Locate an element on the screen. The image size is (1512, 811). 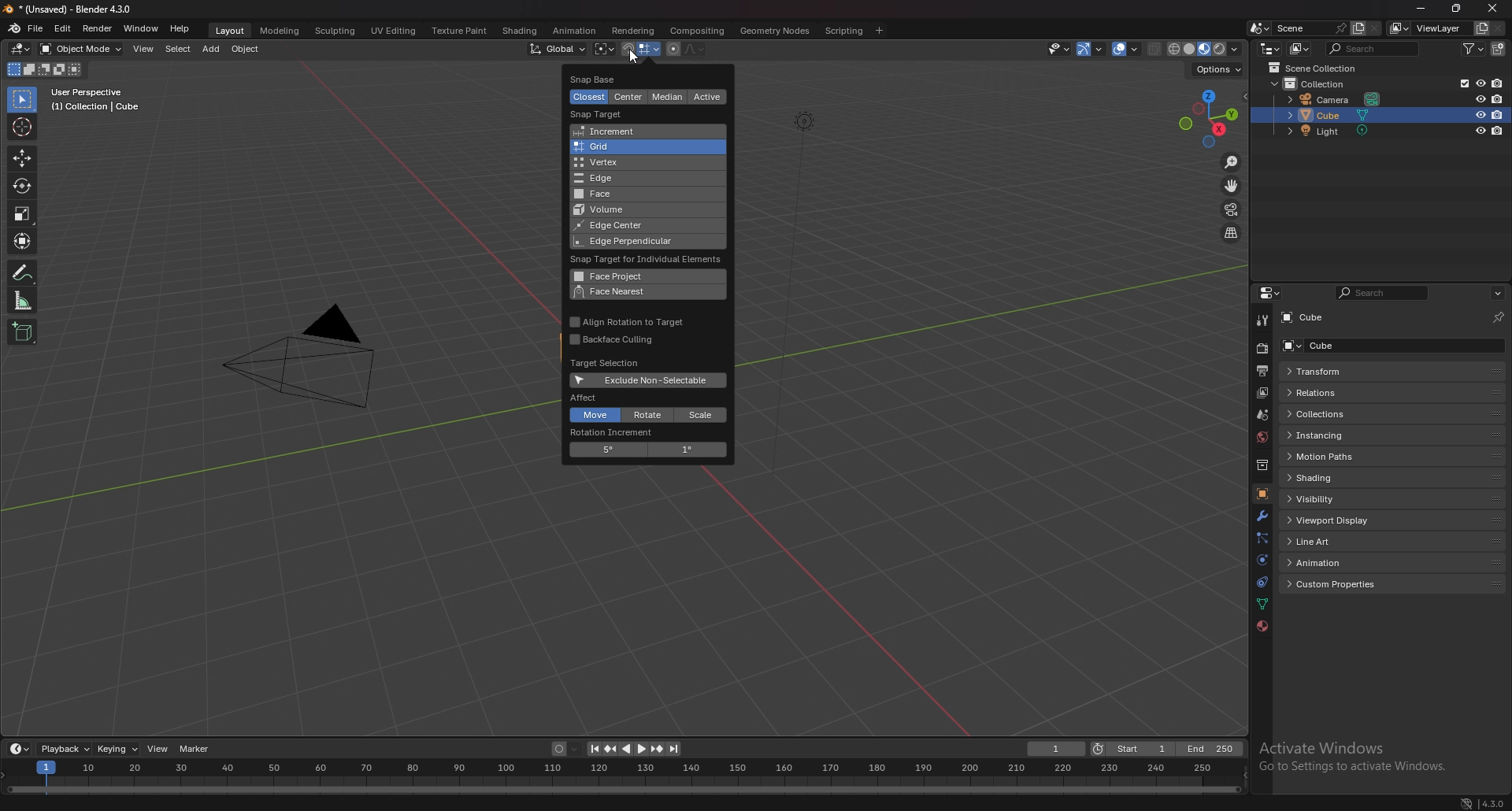
rotation increment is located at coordinates (625, 433).